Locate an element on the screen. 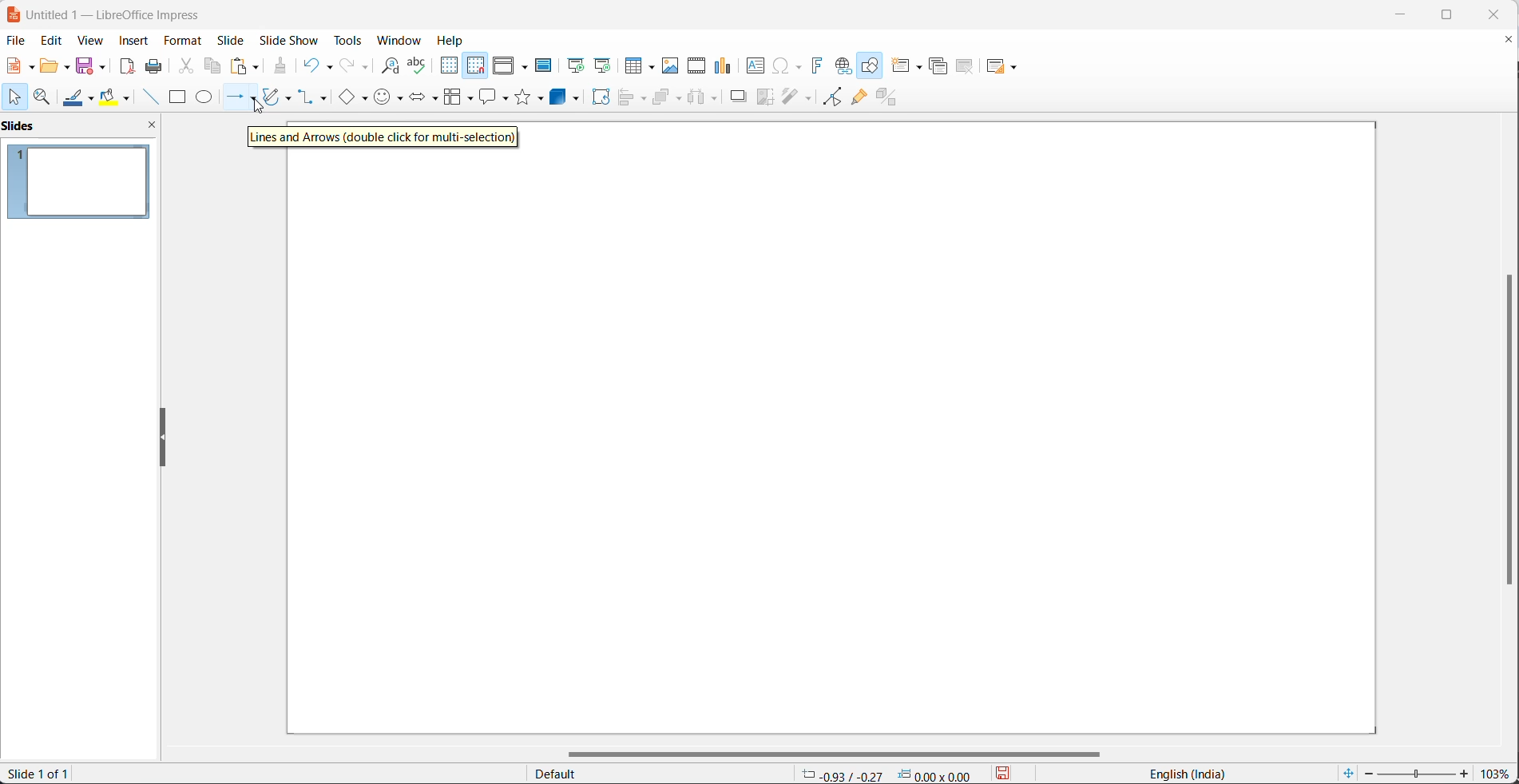 The width and height of the screenshot is (1519, 784). flow chart is located at coordinates (455, 97).